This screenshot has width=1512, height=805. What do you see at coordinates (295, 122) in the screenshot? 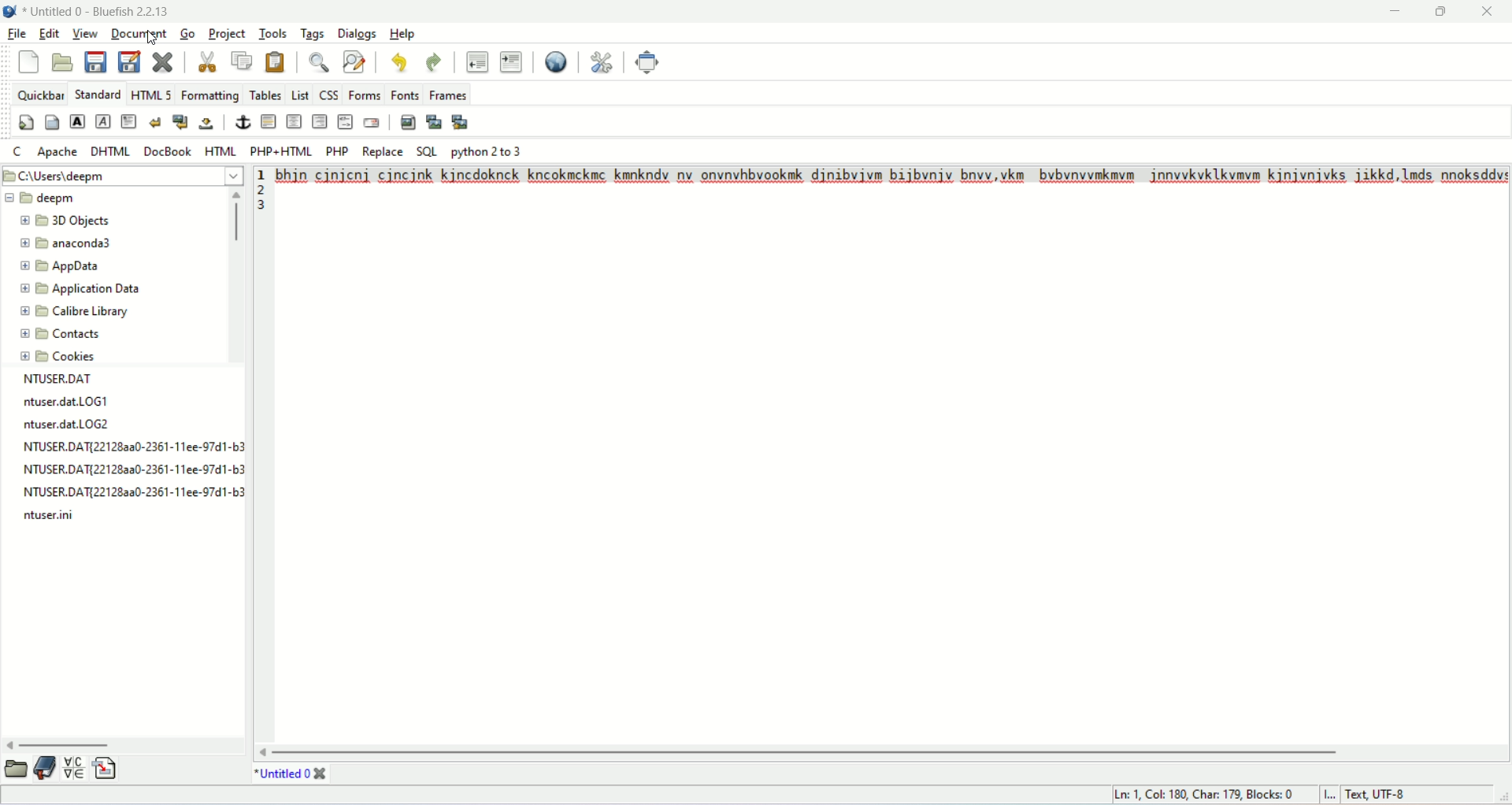
I see `center` at bounding box center [295, 122].